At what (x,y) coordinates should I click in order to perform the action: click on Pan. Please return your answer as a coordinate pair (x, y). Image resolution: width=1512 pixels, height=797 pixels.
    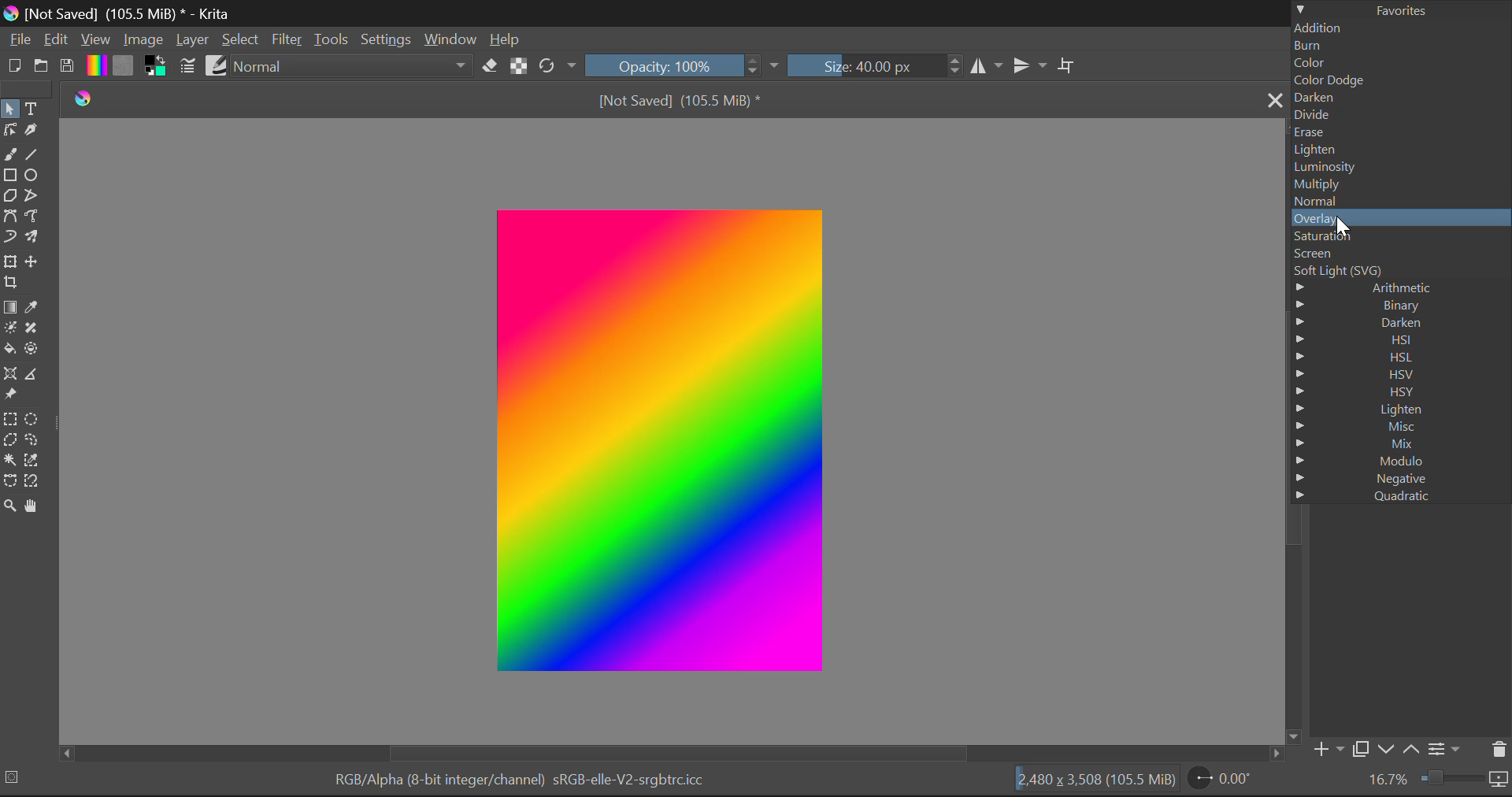
    Looking at the image, I should click on (34, 506).